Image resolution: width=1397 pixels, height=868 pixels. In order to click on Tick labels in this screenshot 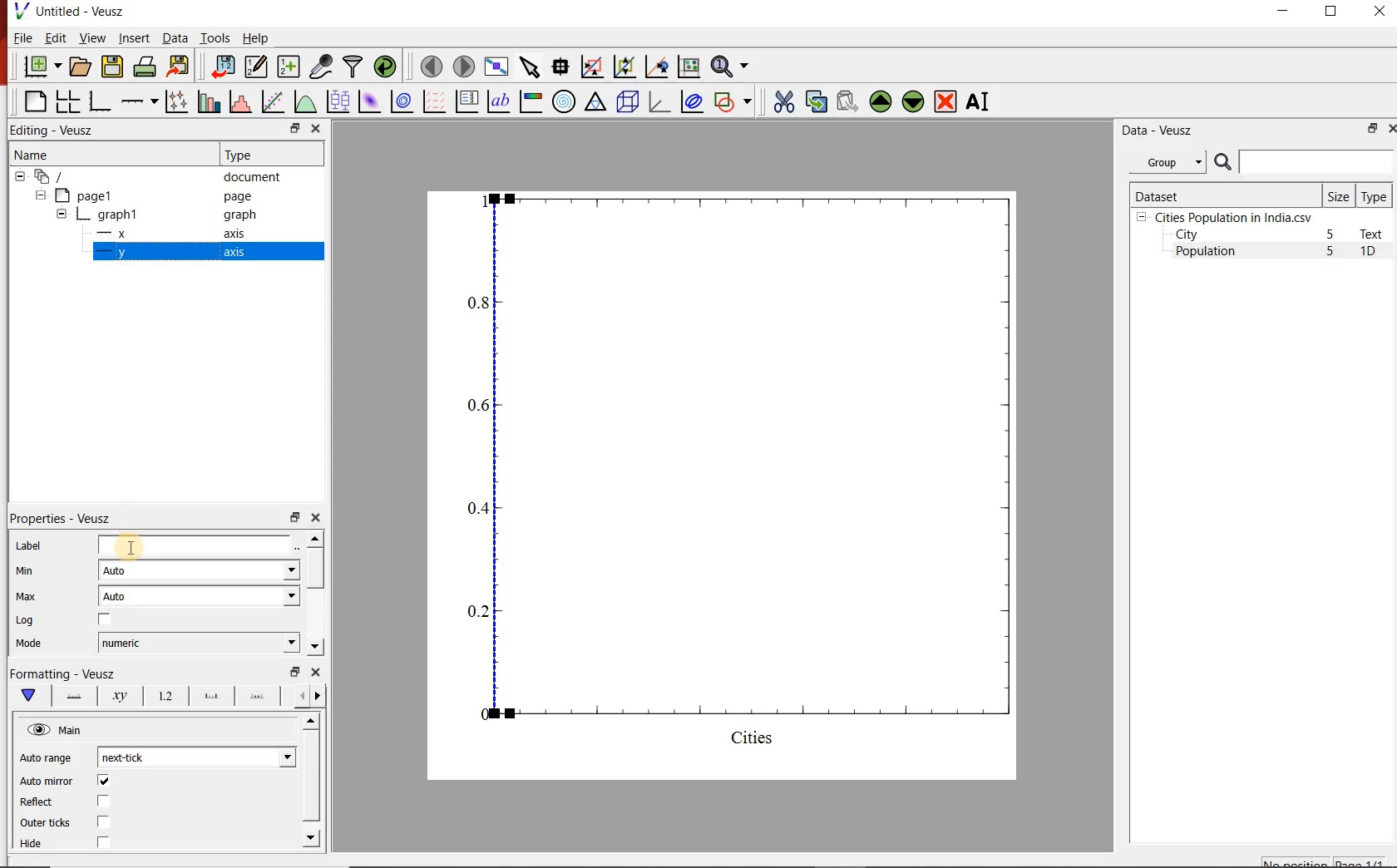, I will do `click(161, 698)`.